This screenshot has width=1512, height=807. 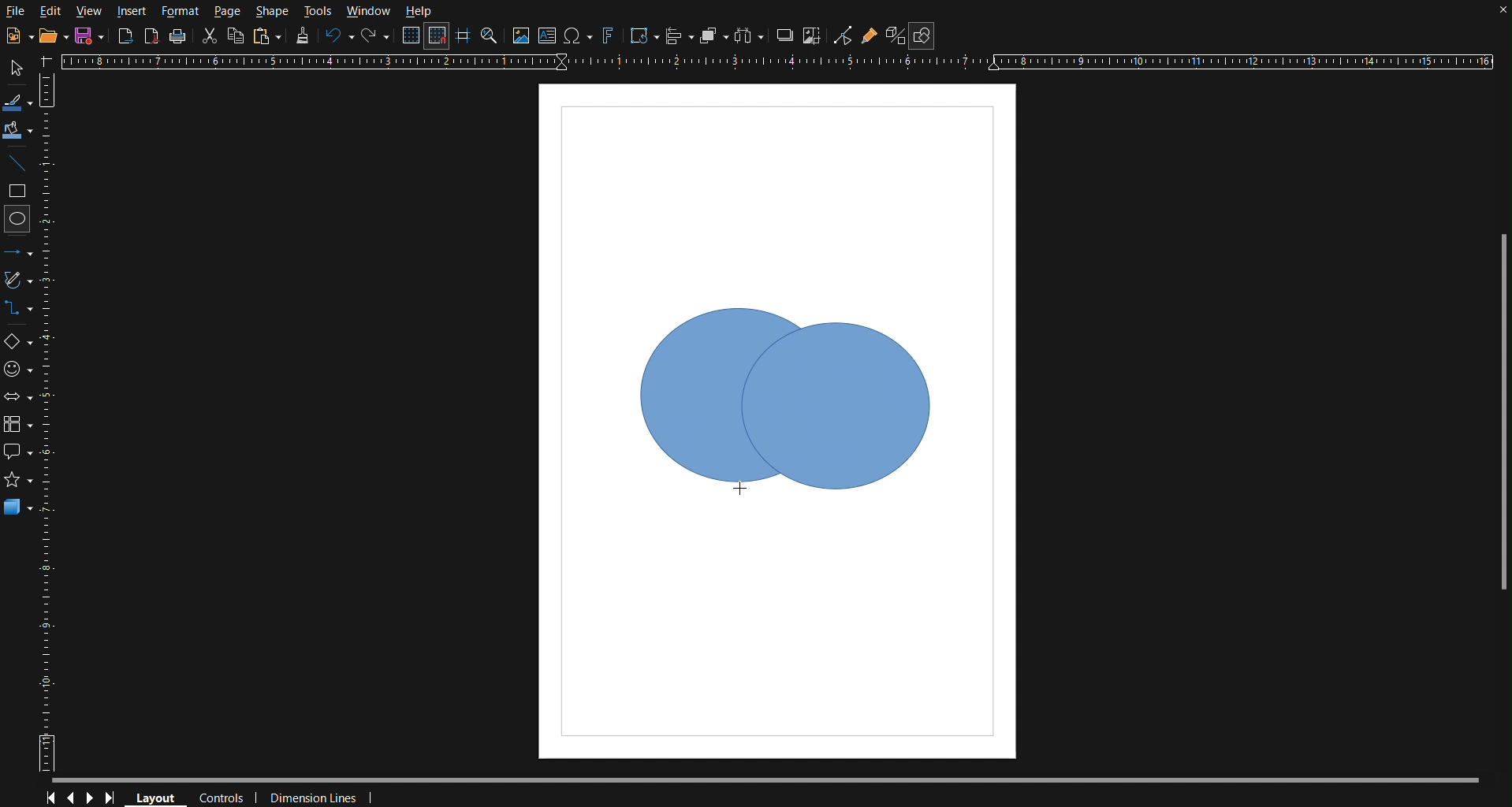 I want to click on Circle 2 (Dragged), so click(x=860, y=407).